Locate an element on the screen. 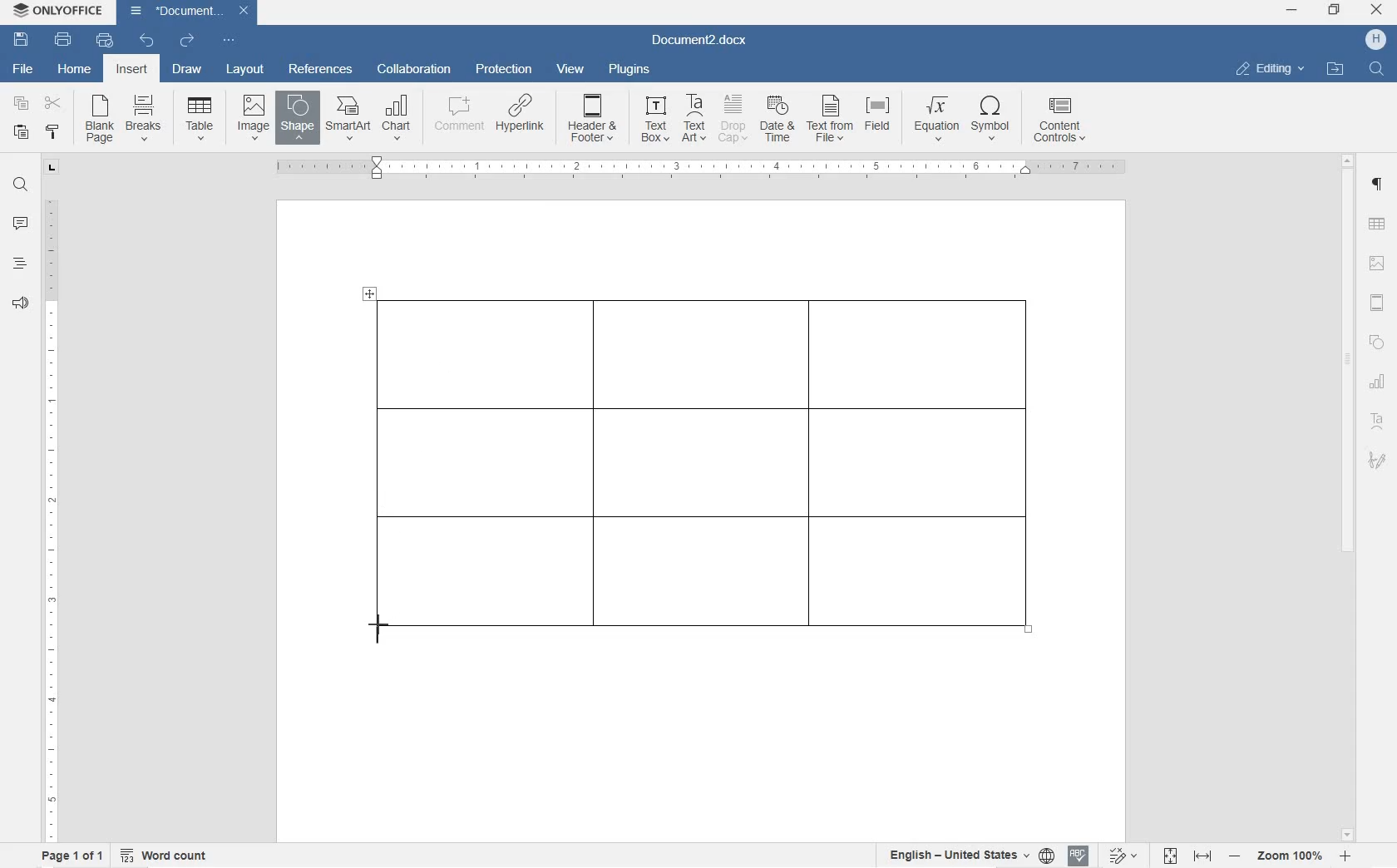  insert table is located at coordinates (196, 118).